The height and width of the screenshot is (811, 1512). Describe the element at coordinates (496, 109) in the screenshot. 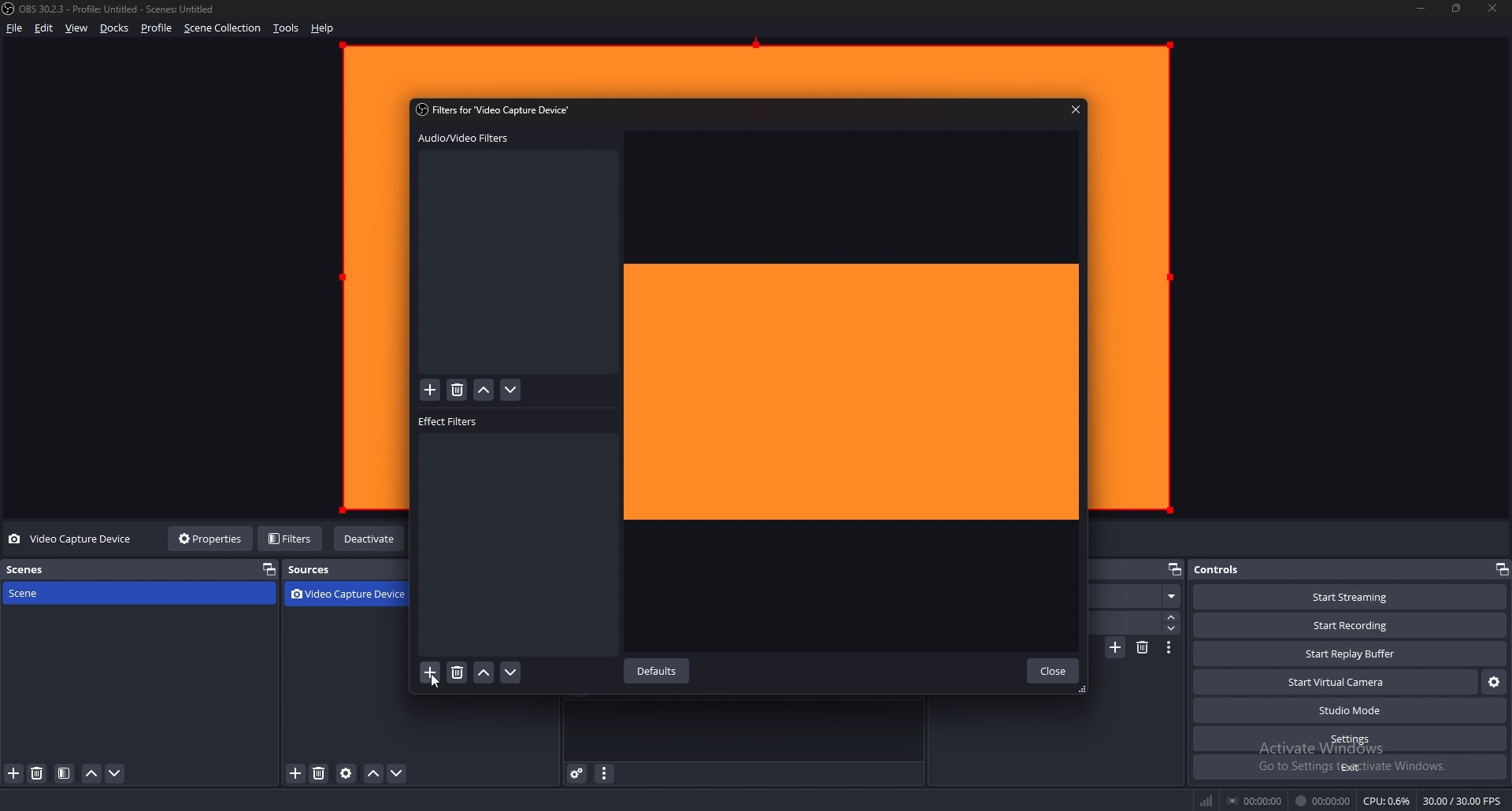

I see `Filters for "Video Capture Device’` at that location.